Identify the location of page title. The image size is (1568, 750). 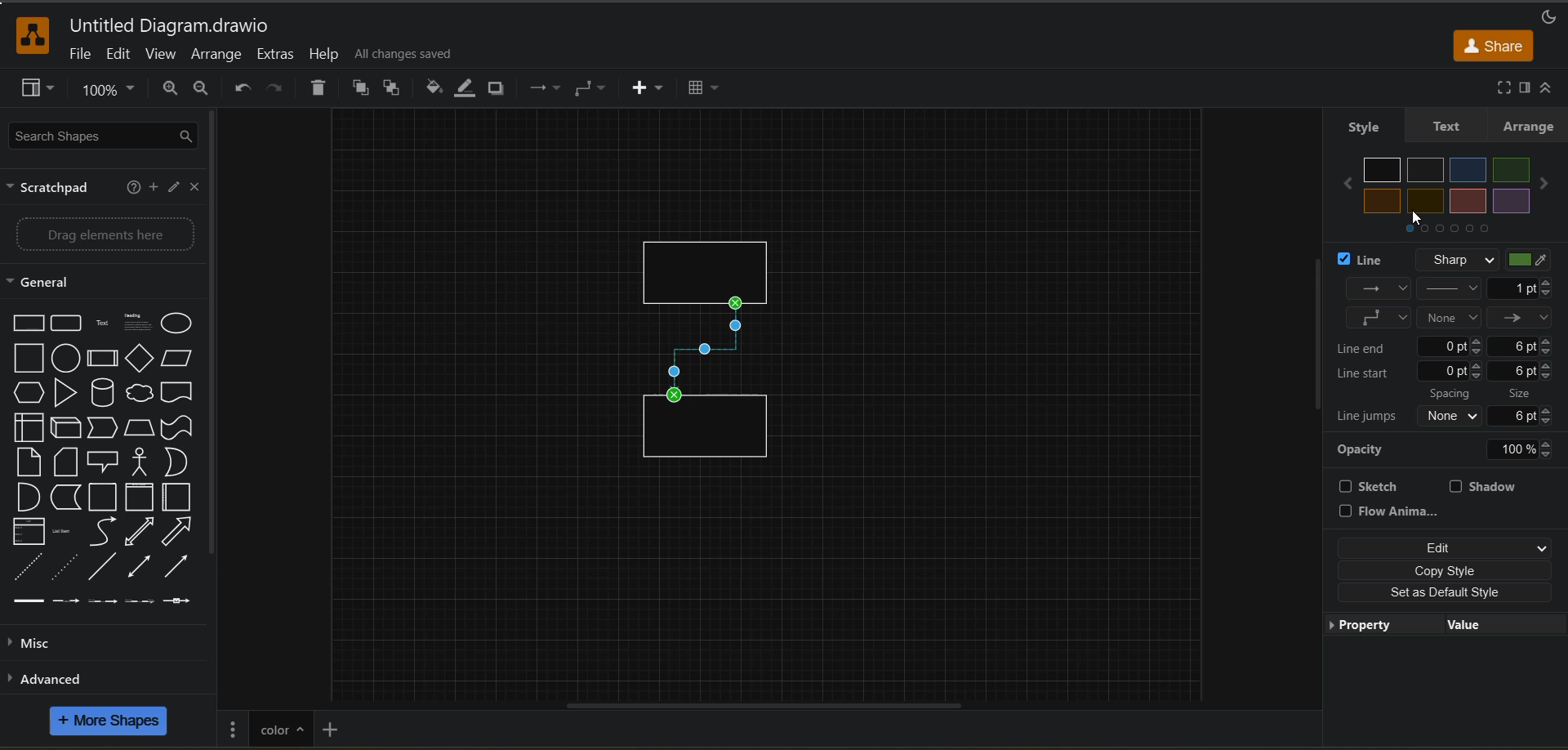
(280, 727).